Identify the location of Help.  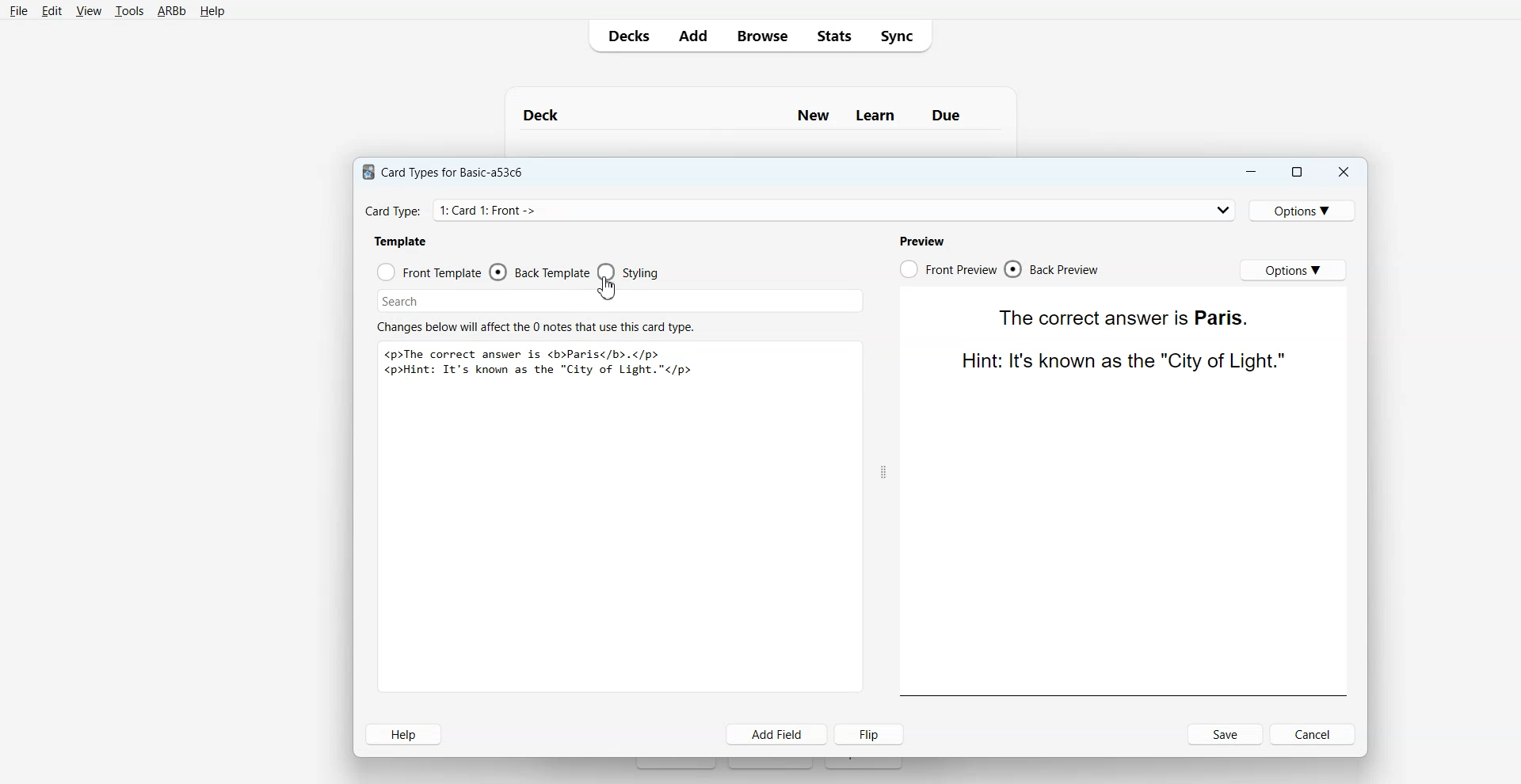
(212, 12).